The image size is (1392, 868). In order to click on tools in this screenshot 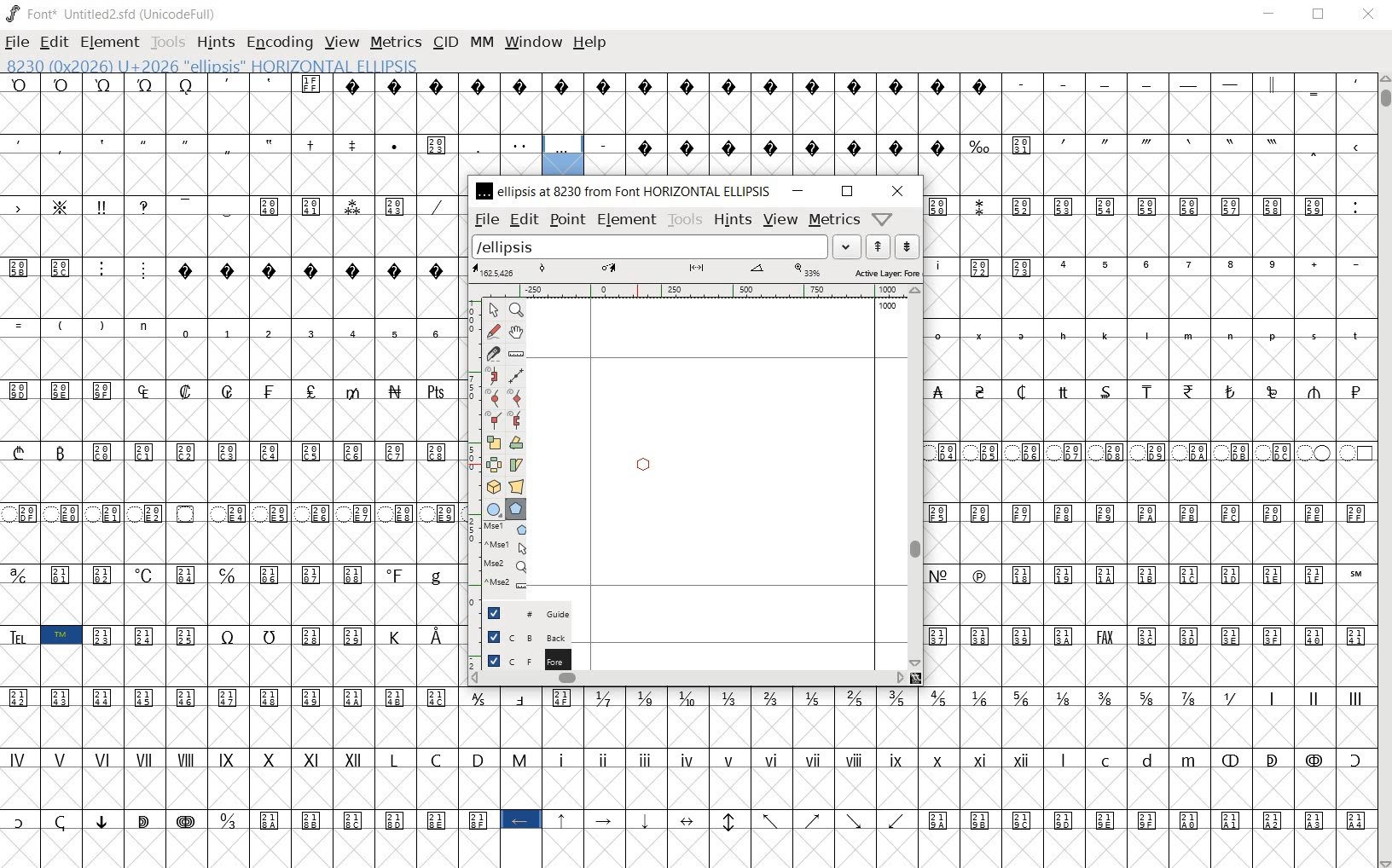, I will do `click(686, 219)`.